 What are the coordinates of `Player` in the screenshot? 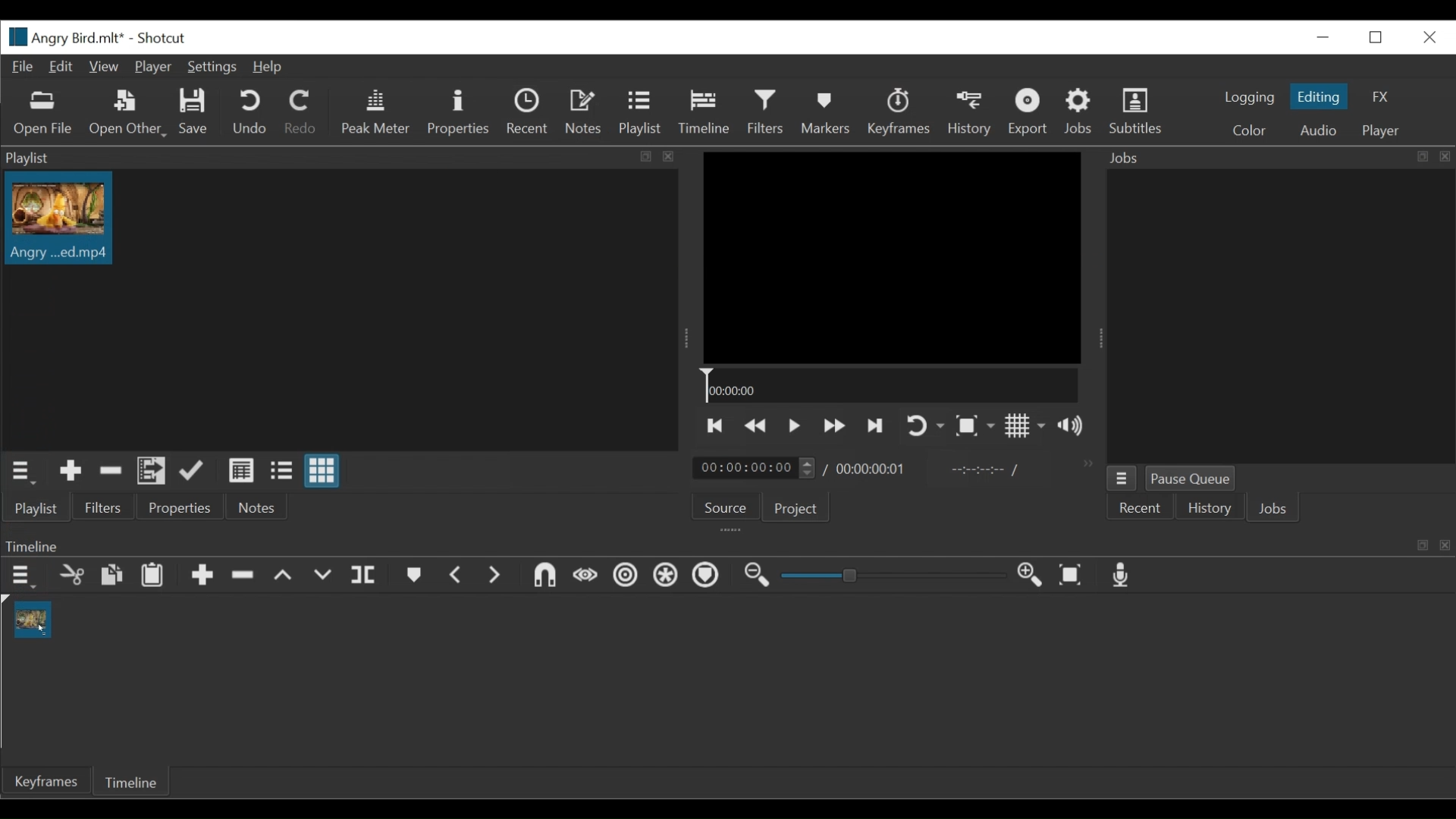 It's located at (152, 67).